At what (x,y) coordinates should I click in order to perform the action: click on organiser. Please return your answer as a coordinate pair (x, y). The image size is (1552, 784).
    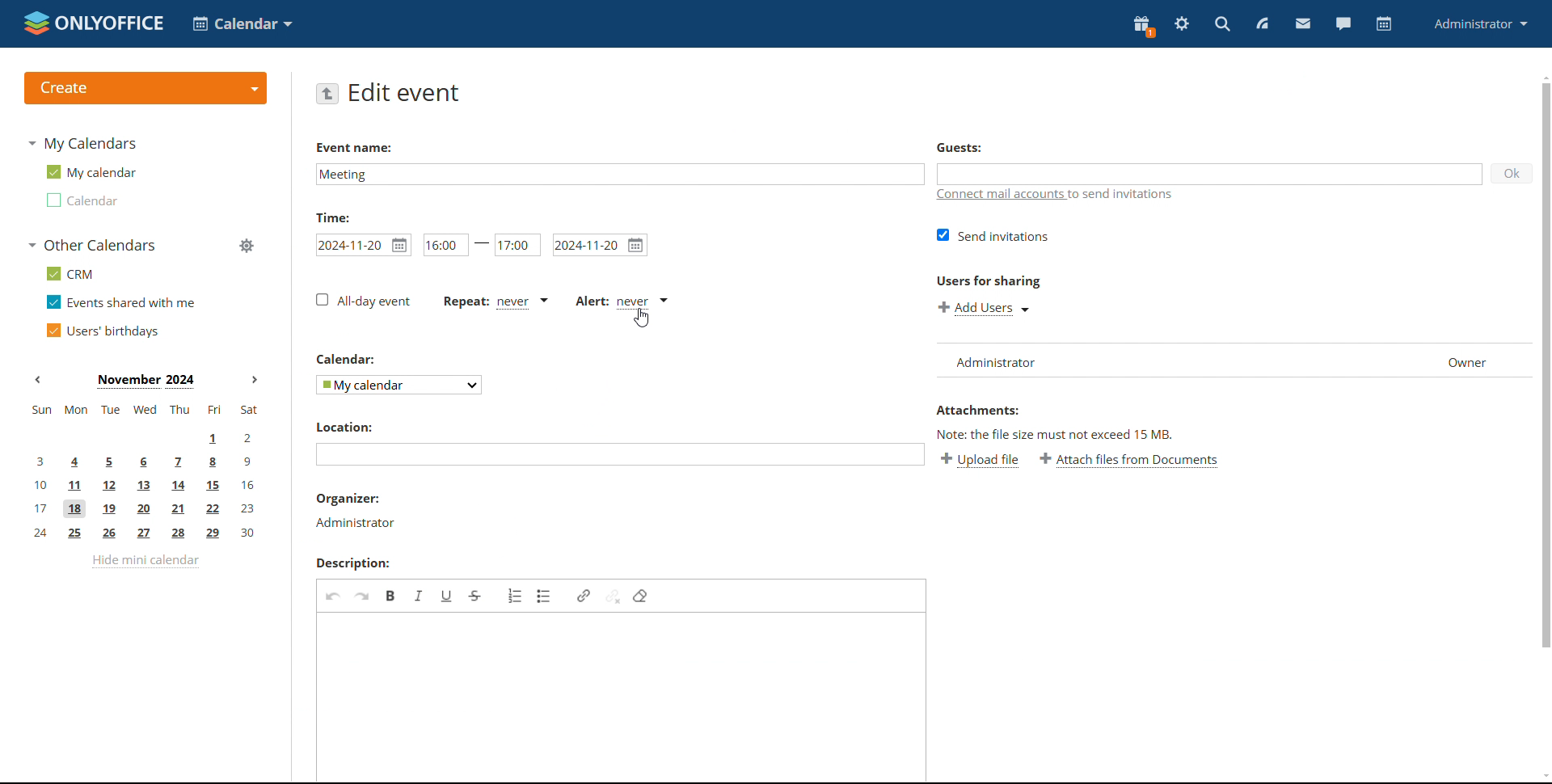
    Looking at the image, I should click on (356, 523).